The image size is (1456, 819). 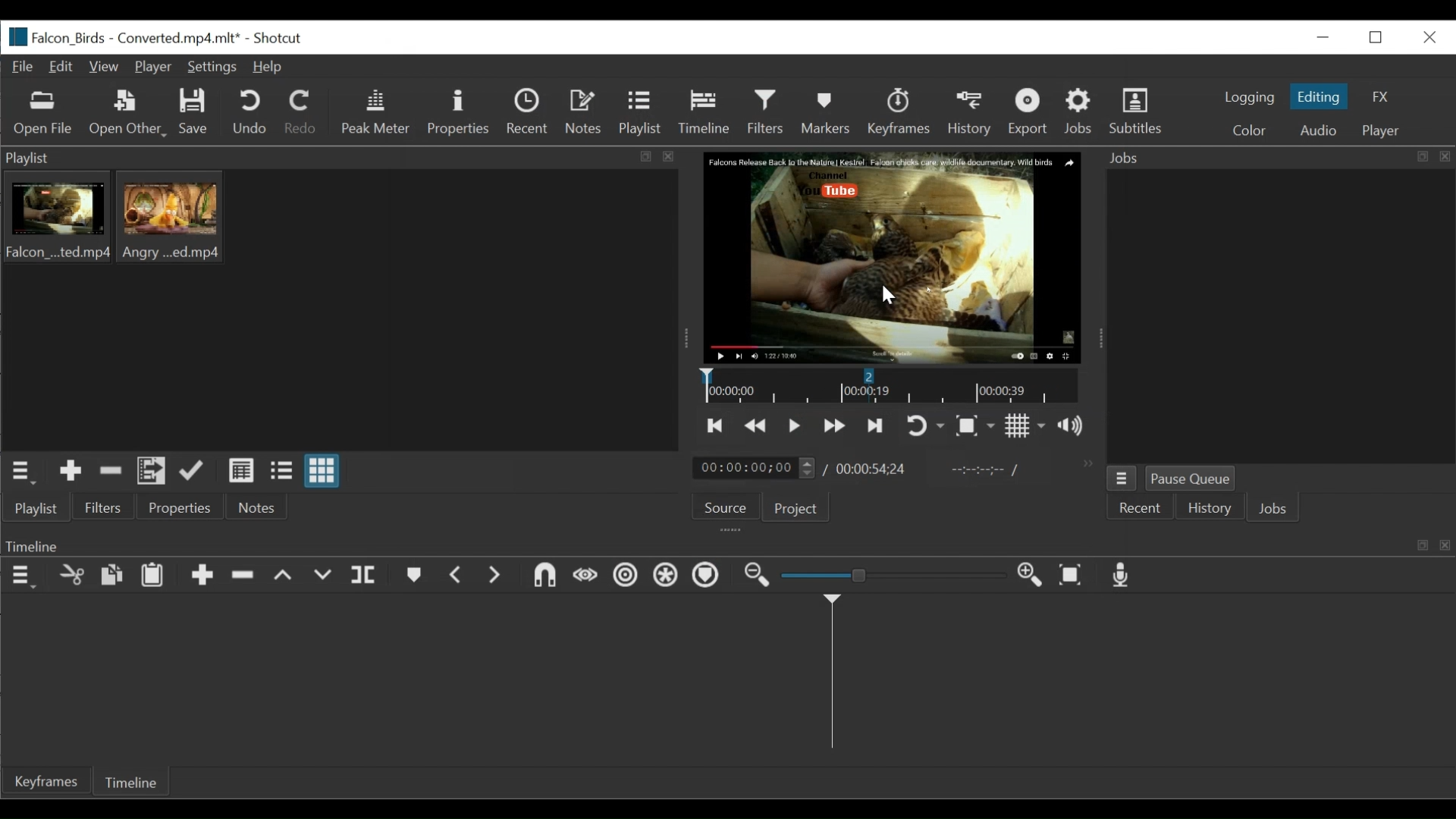 I want to click on Keyframe , so click(x=45, y=780).